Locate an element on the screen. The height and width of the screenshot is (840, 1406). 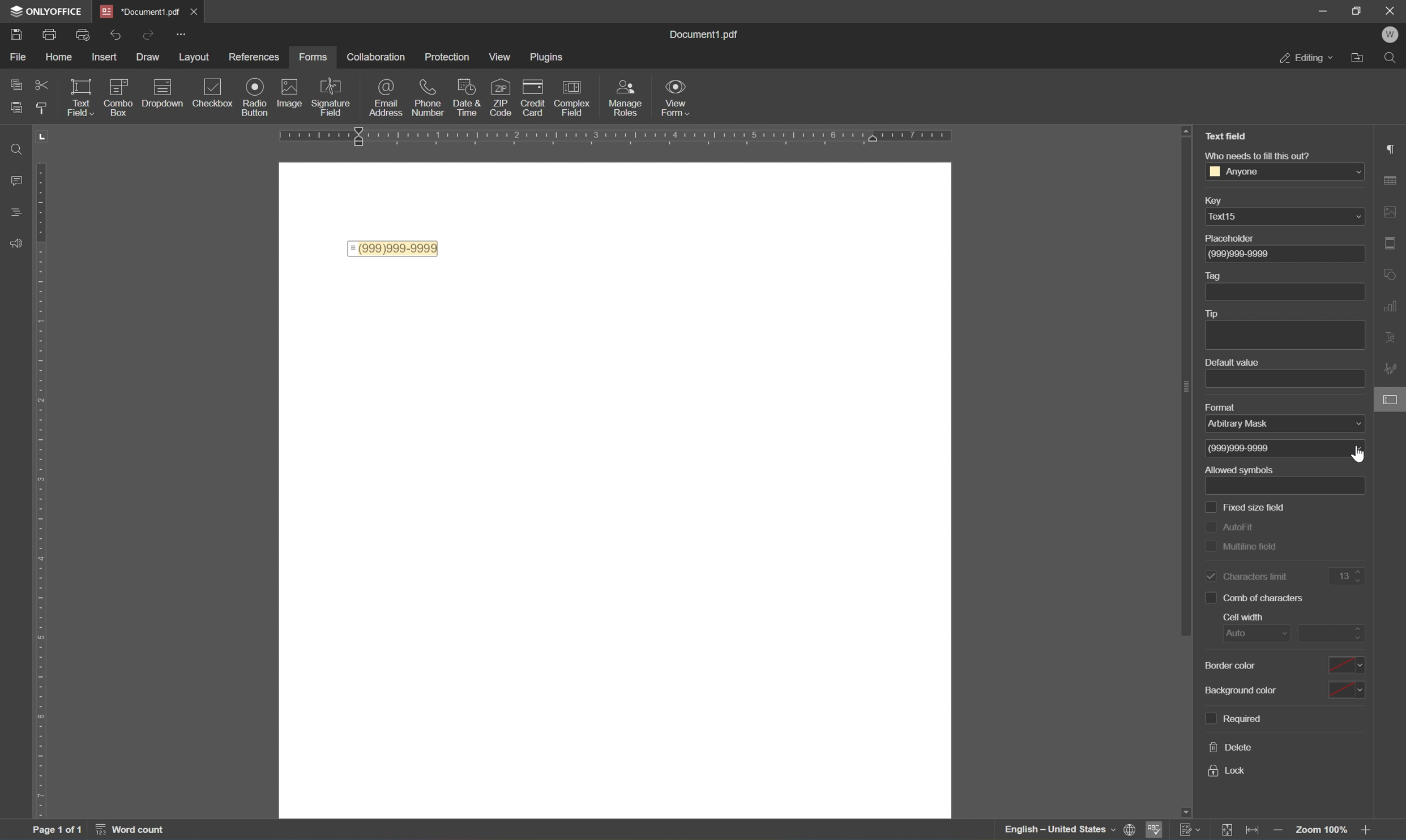
cursor is located at coordinates (1362, 455).